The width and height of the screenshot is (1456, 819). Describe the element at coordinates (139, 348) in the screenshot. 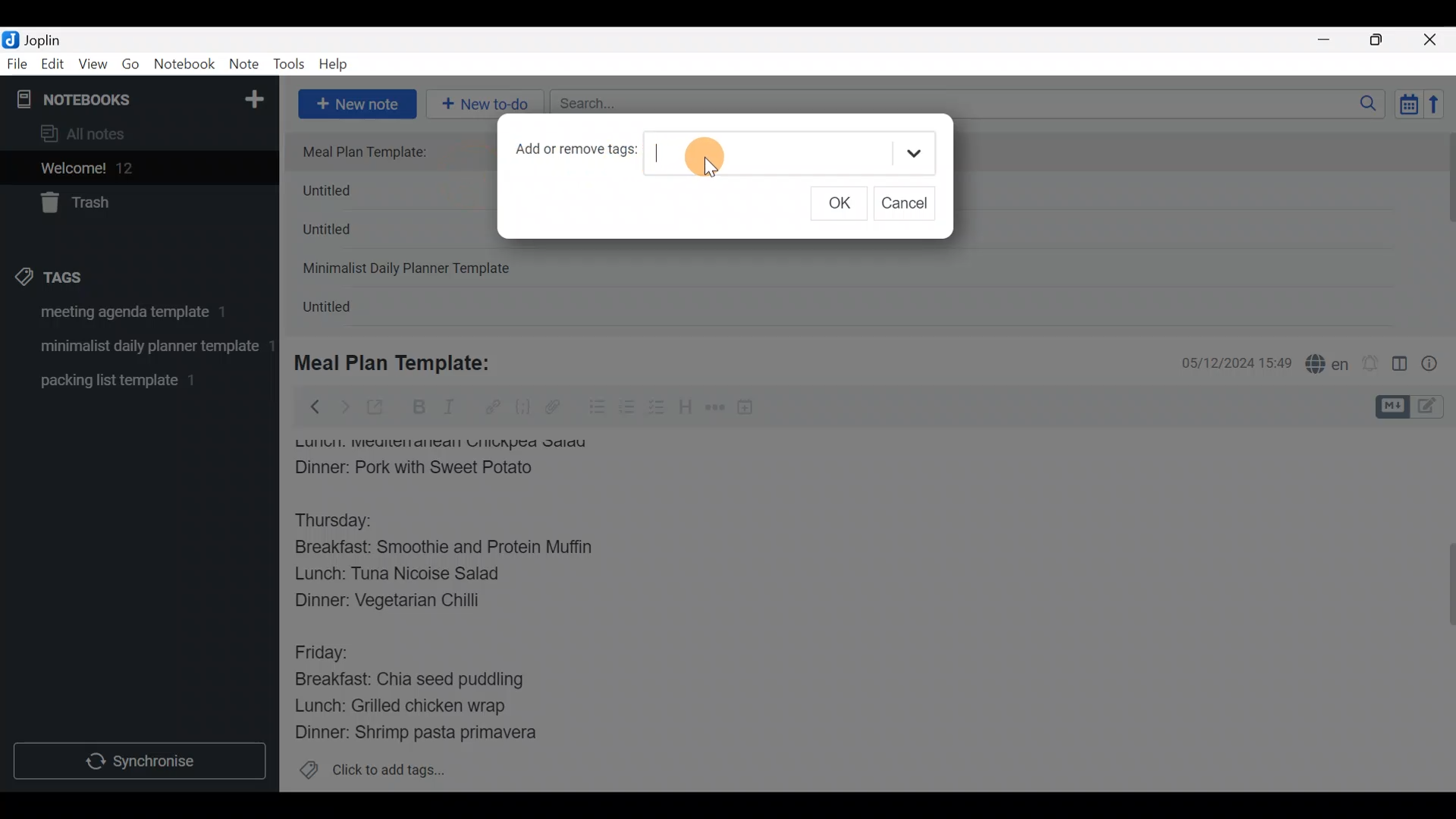

I see `Tag 2` at that location.